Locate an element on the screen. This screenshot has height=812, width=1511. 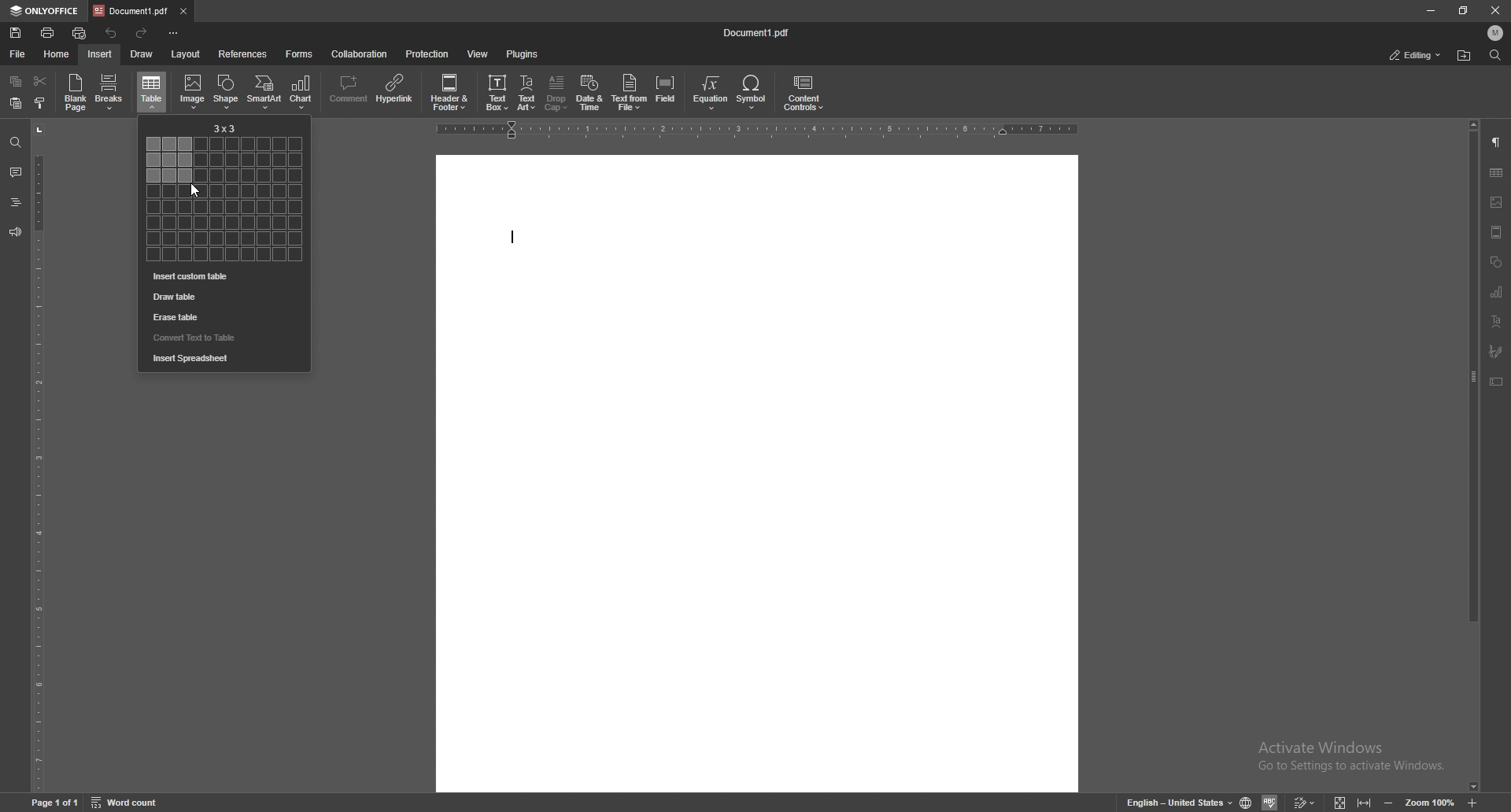
resize is located at coordinates (1463, 9).